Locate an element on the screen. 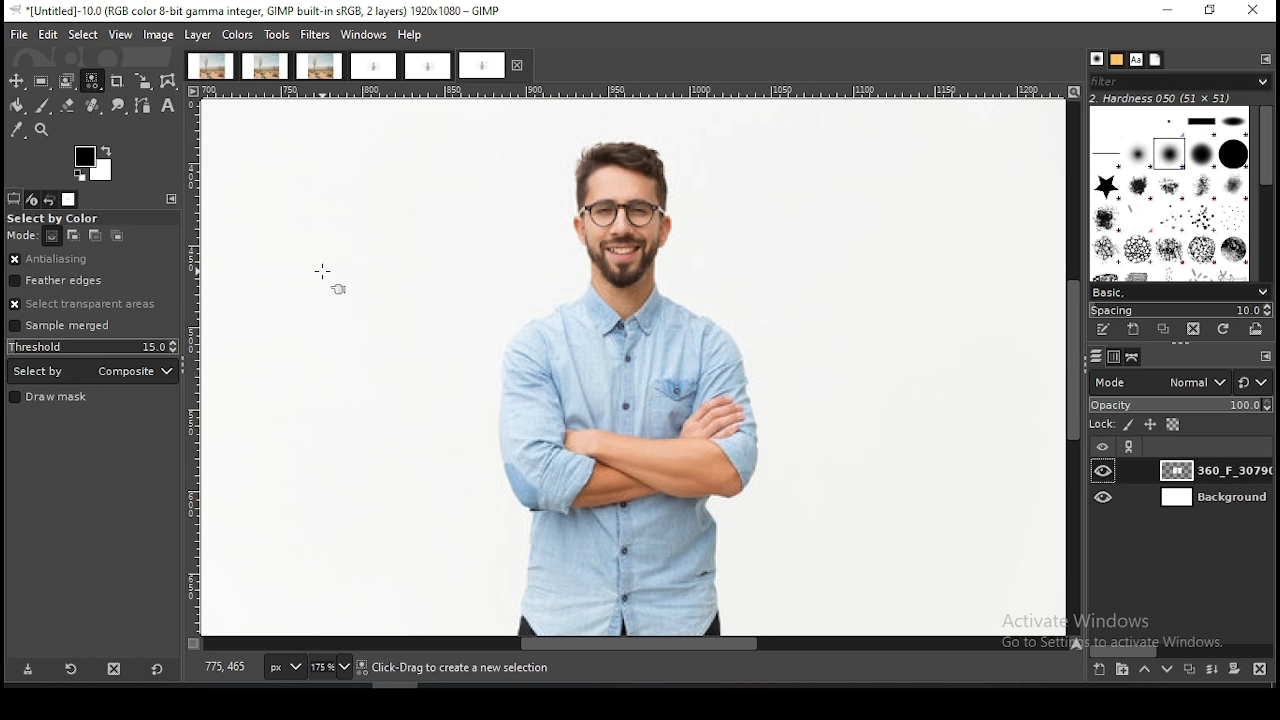  project tab is located at coordinates (373, 67).